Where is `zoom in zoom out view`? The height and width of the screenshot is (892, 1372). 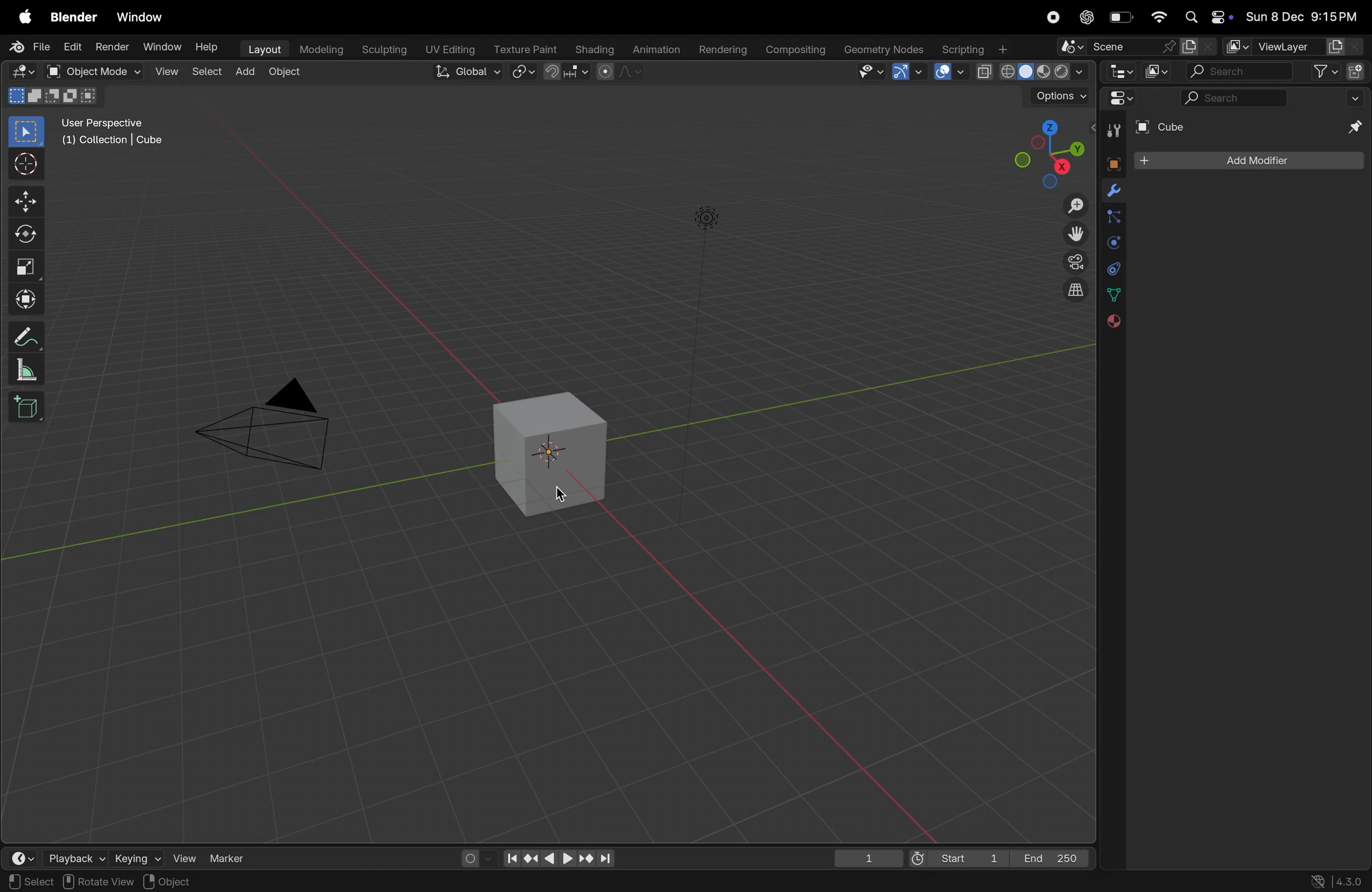
zoom in zoom out view is located at coordinates (1071, 206).